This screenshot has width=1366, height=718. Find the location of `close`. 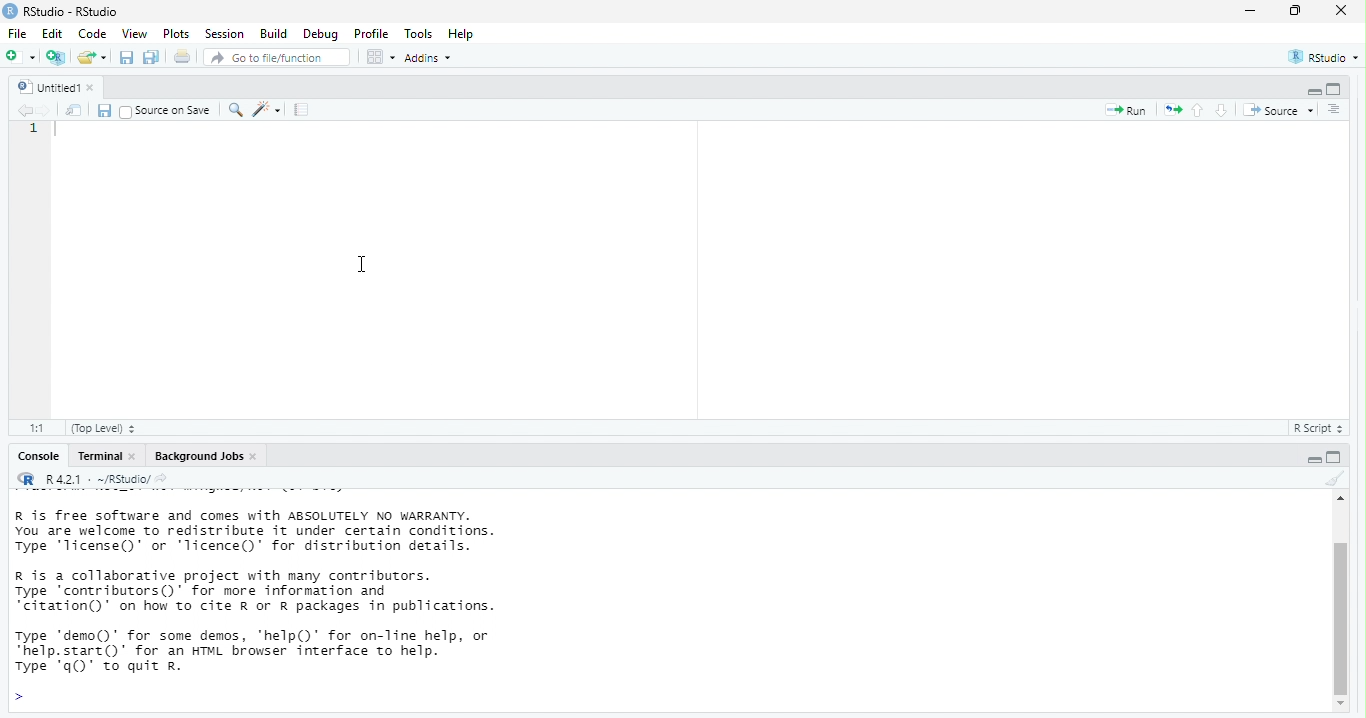

close is located at coordinates (100, 87).